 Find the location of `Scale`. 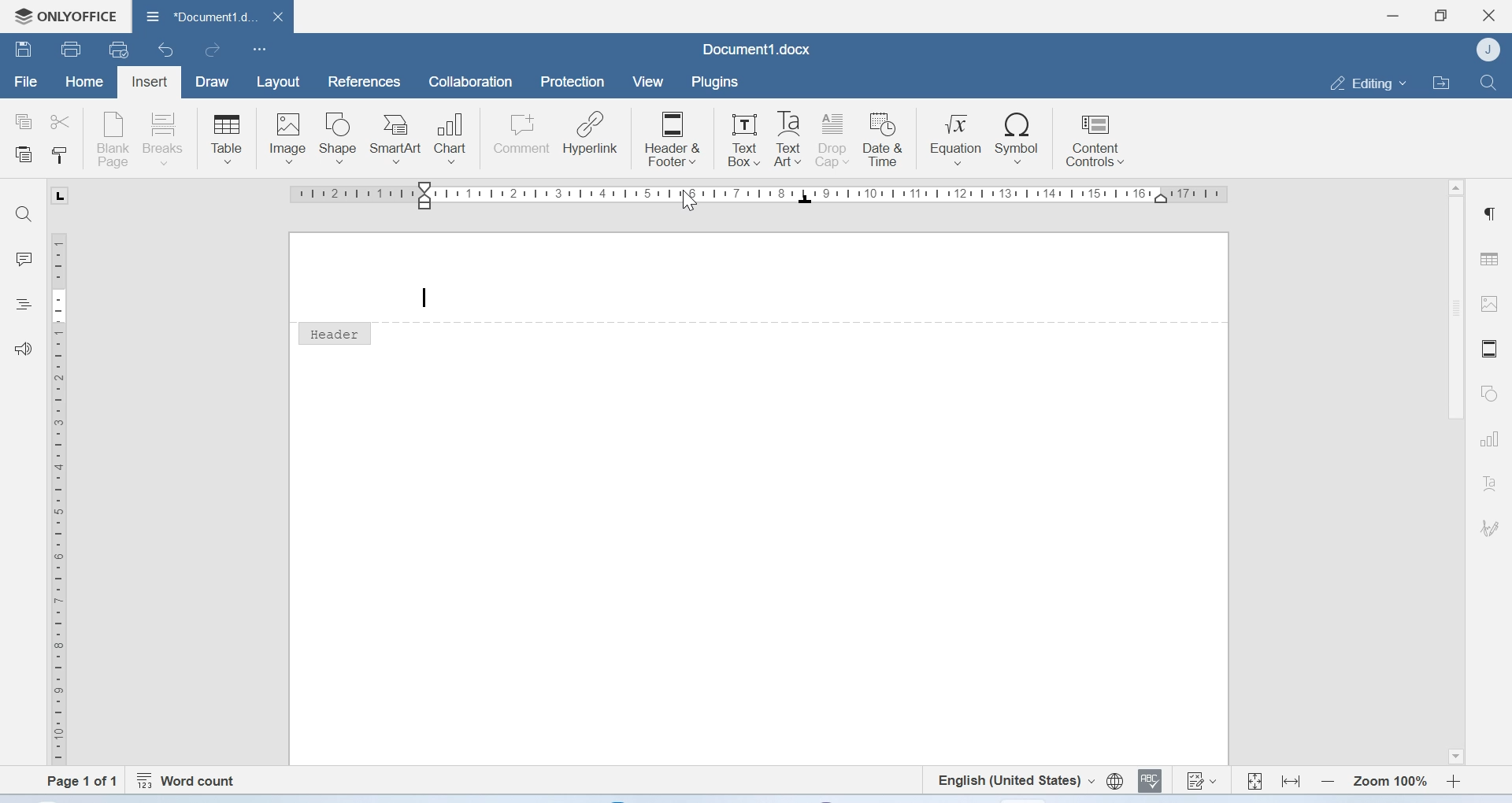

Scale is located at coordinates (65, 496).